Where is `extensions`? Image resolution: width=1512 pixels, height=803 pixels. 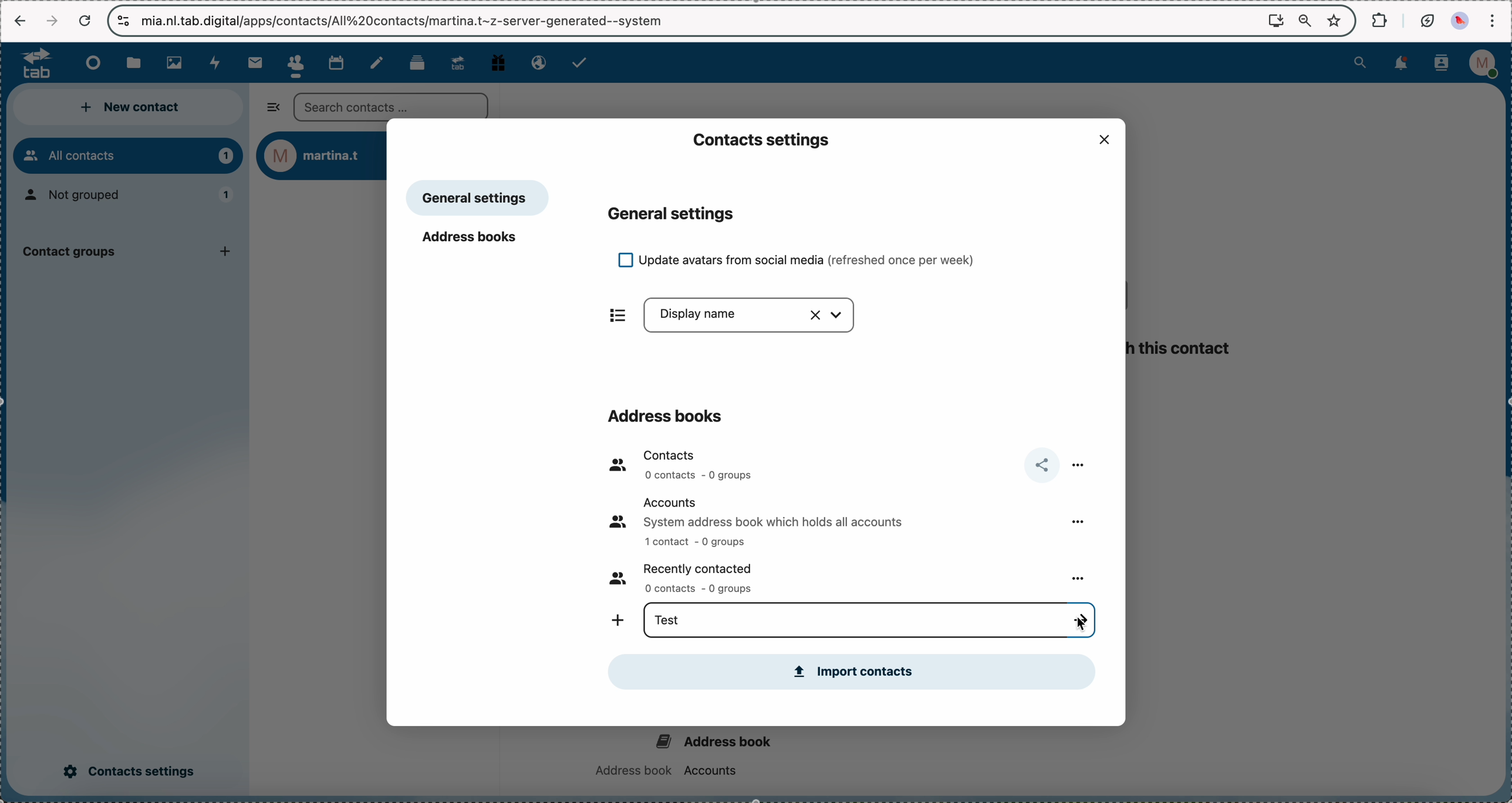 extensions is located at coordinates (1378, 20).